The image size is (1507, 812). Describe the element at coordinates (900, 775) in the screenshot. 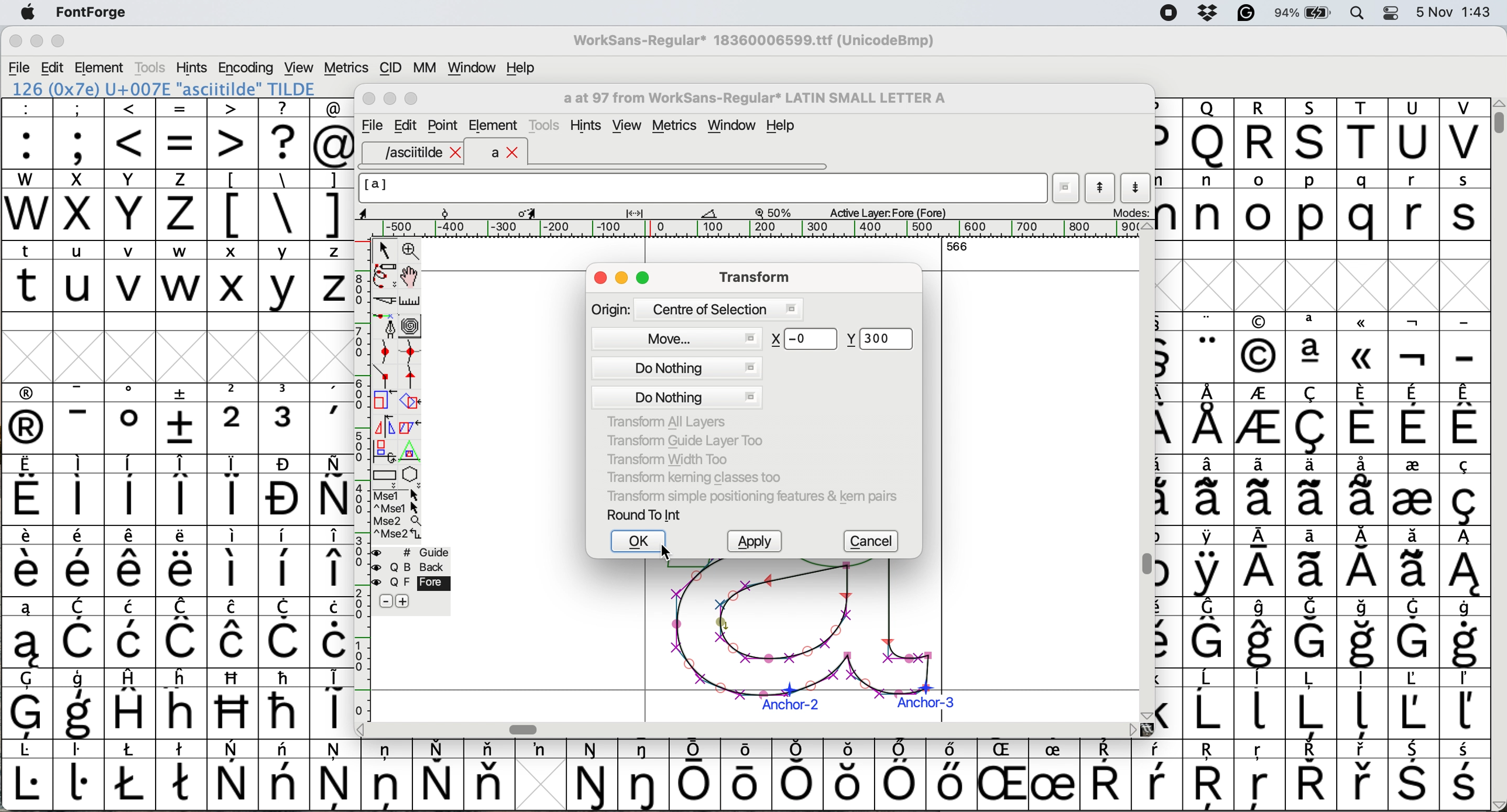

I see `symbol` at that location.